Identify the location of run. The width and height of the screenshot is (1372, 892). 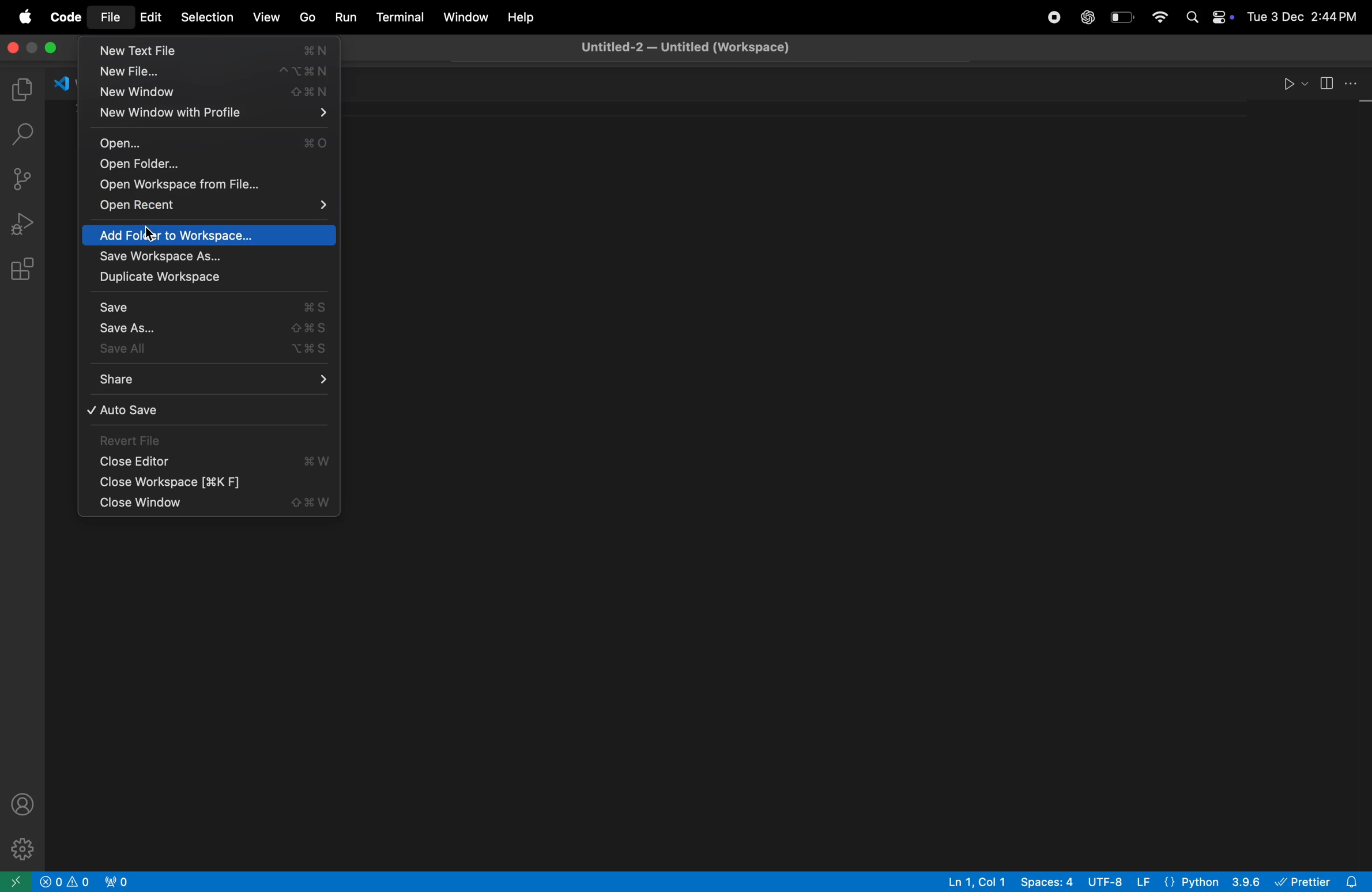
(345, 17).